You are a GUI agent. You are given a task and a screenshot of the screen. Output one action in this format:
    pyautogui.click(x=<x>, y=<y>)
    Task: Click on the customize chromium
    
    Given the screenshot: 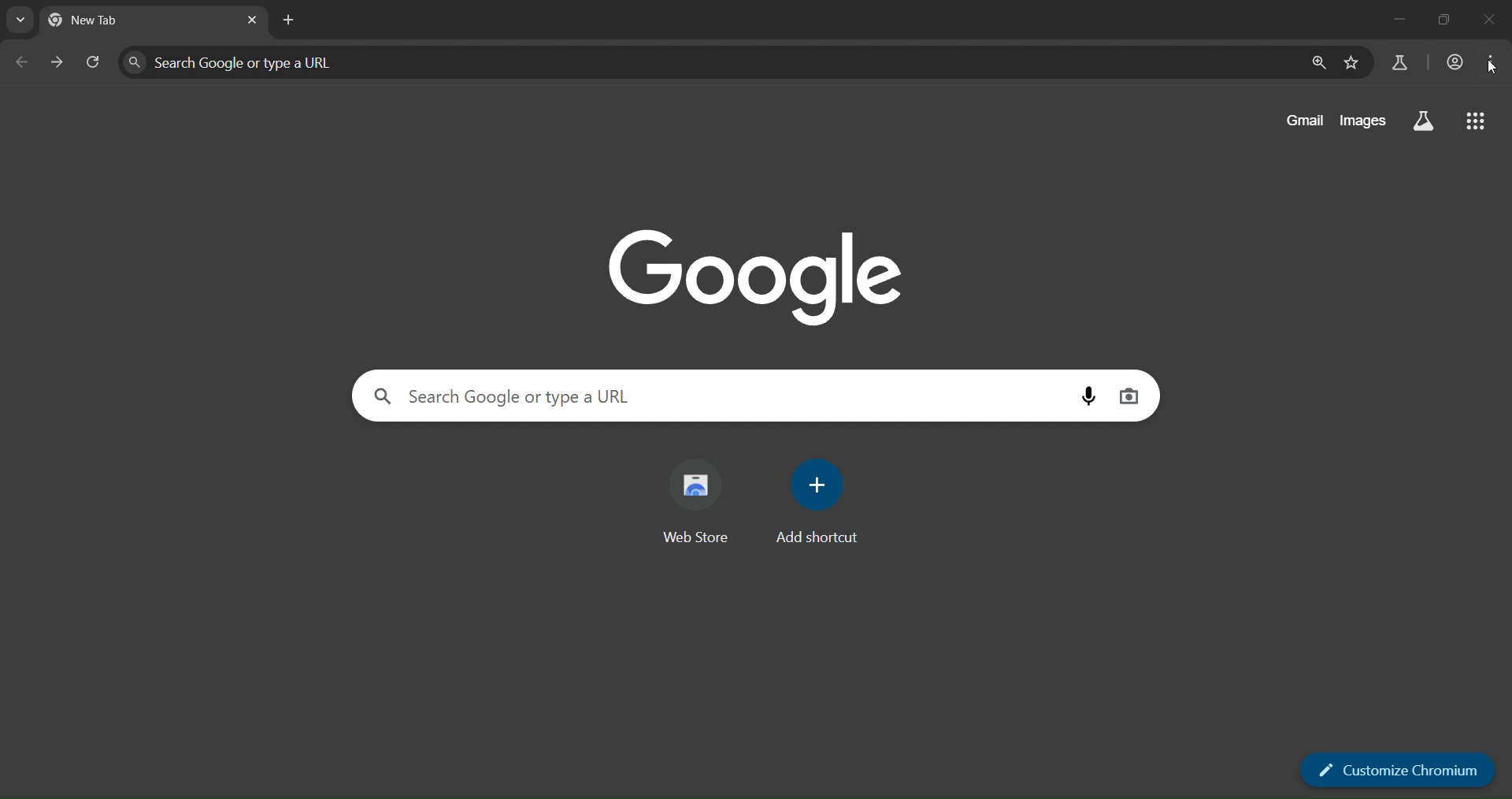 What is the action you would take?
    pyautogui.click(x=1400, y=771)
    